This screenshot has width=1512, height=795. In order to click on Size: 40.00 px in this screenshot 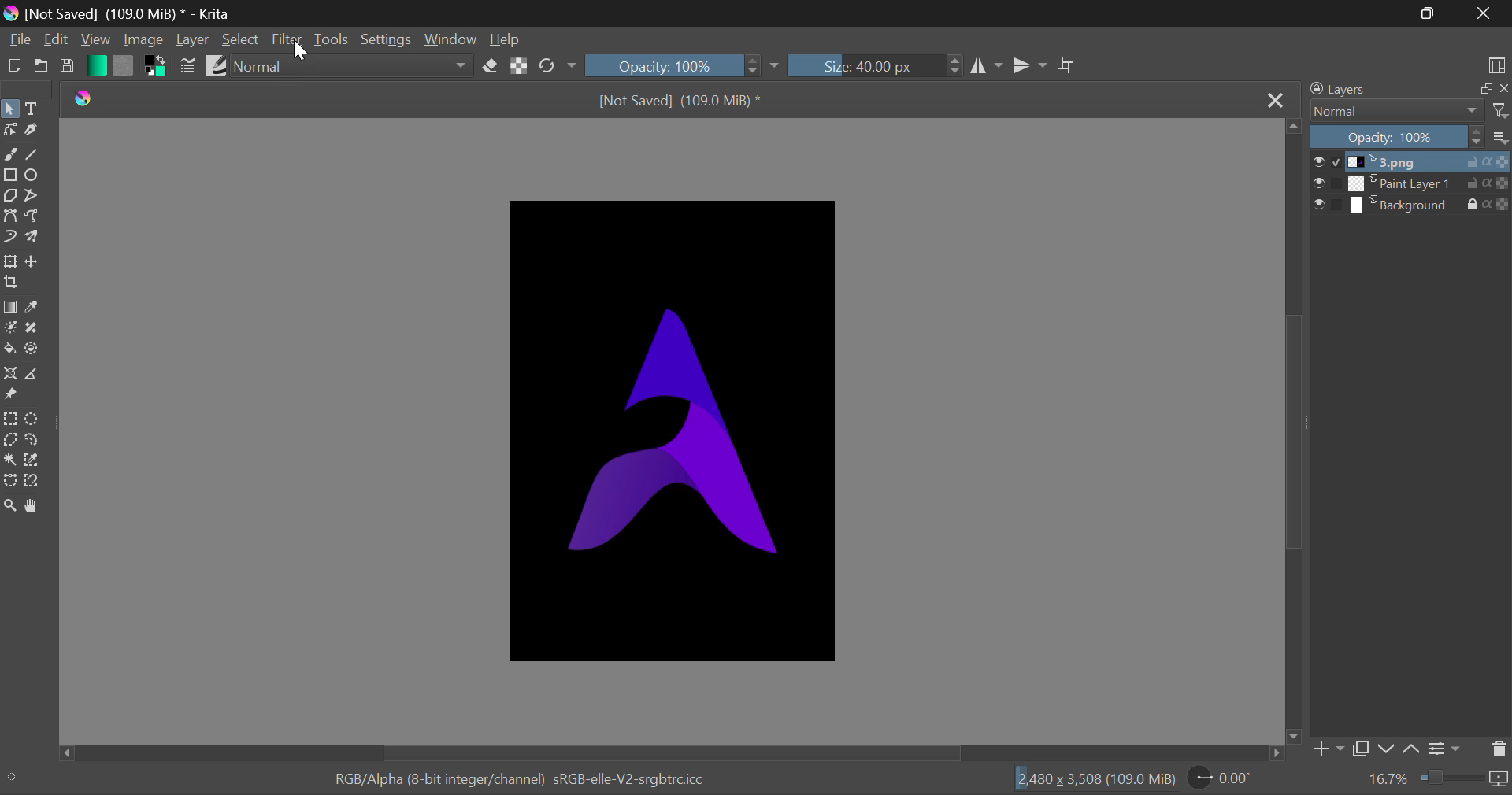, I will do `click(863, 66)`.